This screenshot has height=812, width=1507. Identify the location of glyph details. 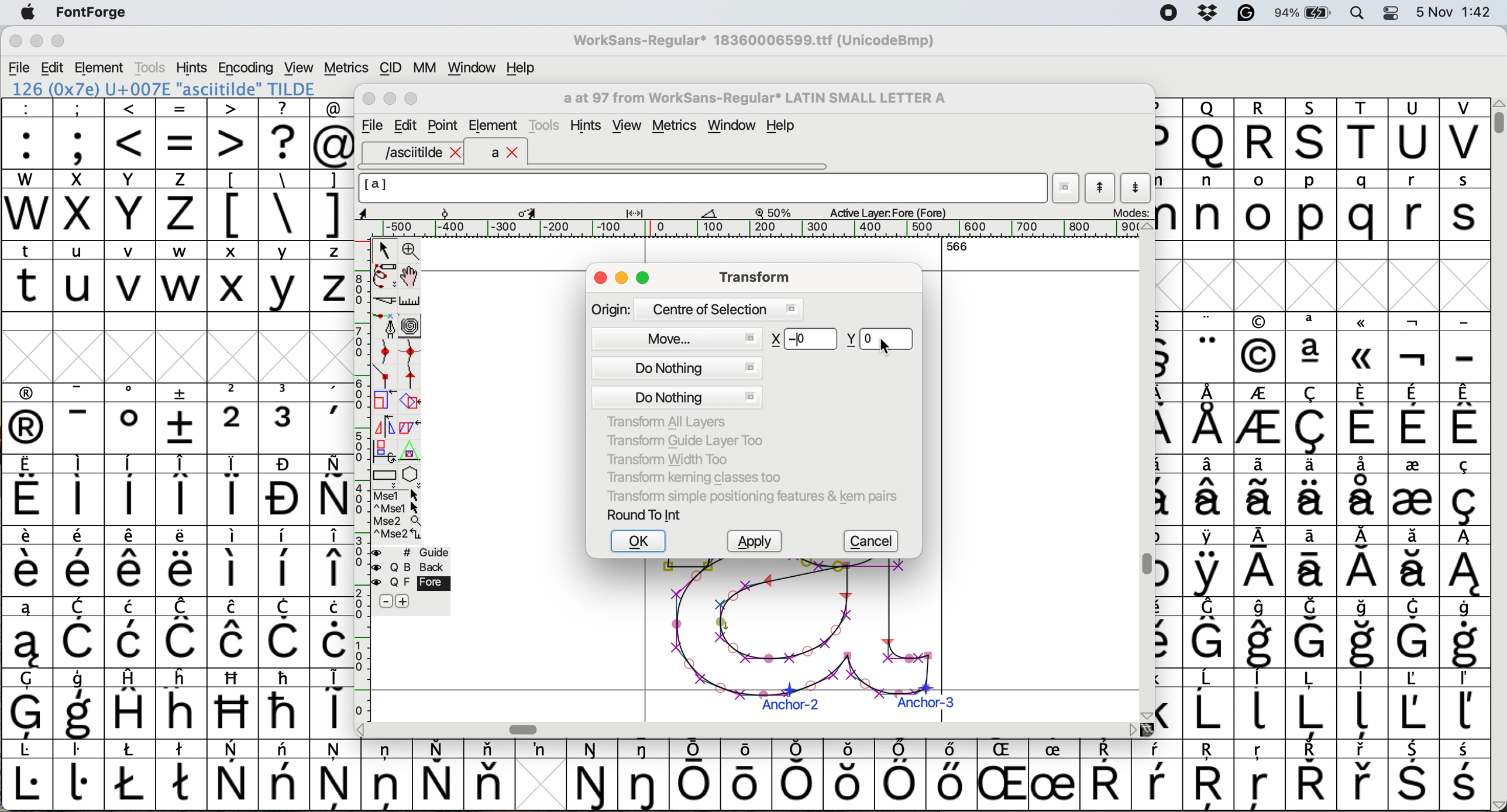
(546, 212).